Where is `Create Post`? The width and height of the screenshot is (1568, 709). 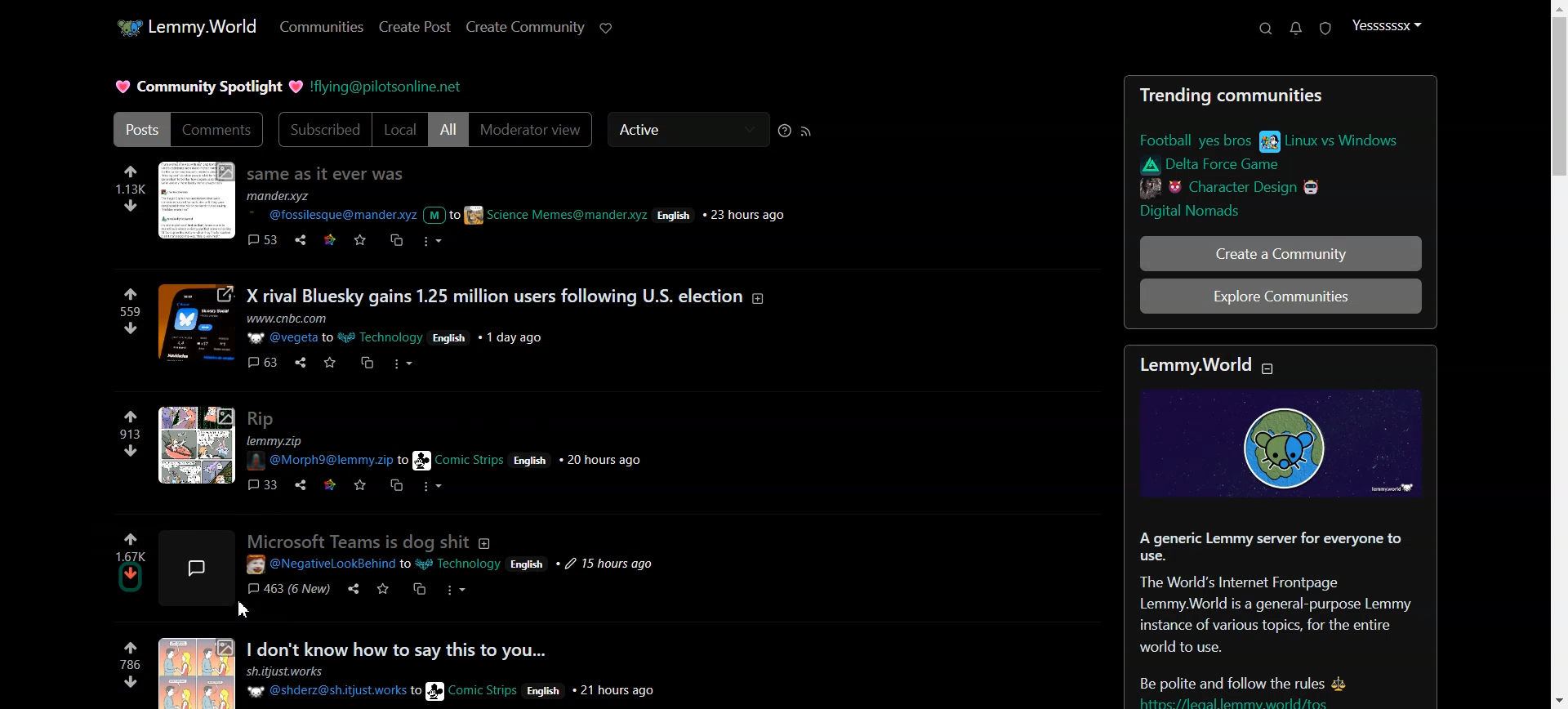
Create Post is located at coordinates (415, 26).